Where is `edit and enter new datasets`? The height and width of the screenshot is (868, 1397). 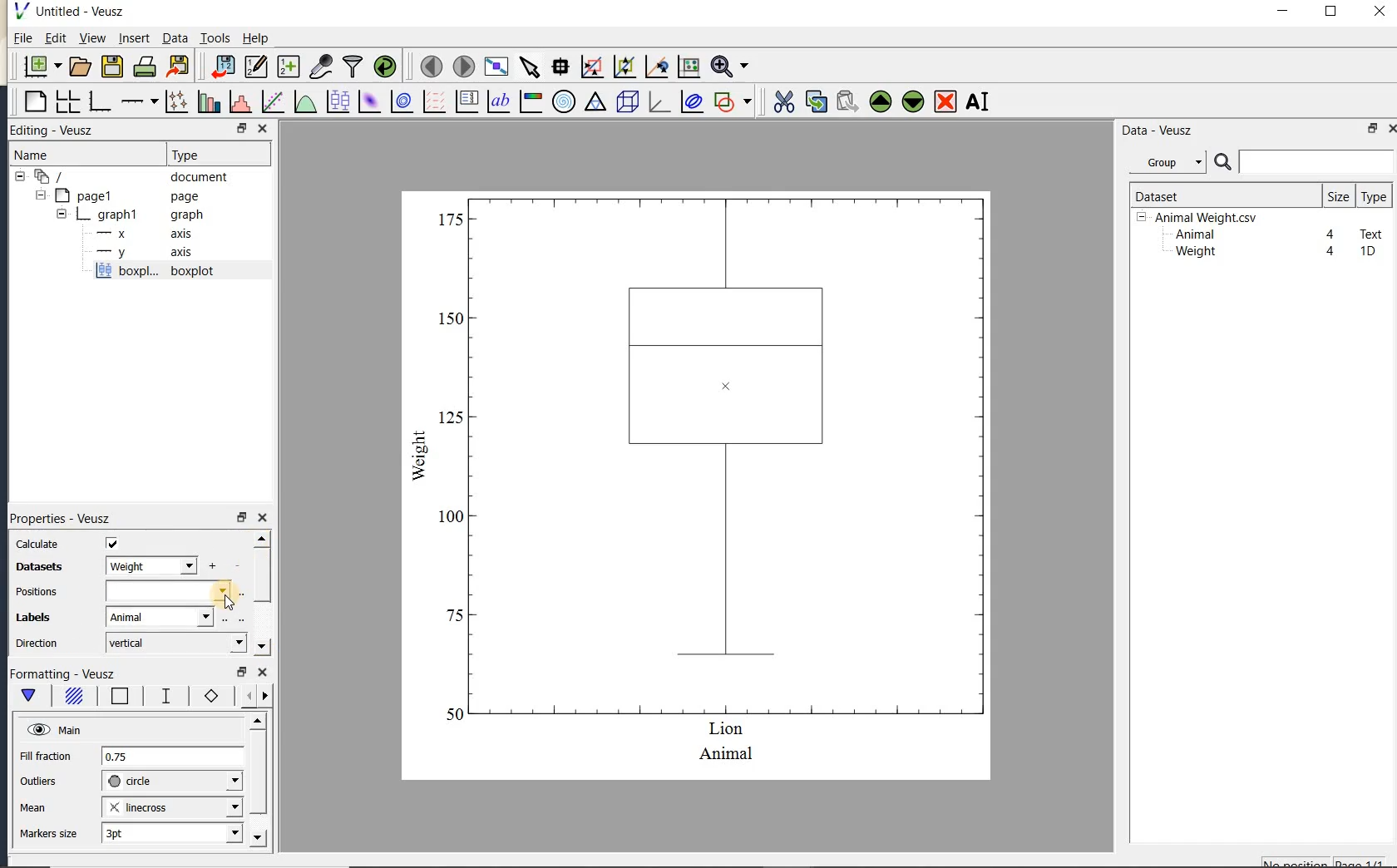 edit and enter new datasets is located at coordinates (255, 67).